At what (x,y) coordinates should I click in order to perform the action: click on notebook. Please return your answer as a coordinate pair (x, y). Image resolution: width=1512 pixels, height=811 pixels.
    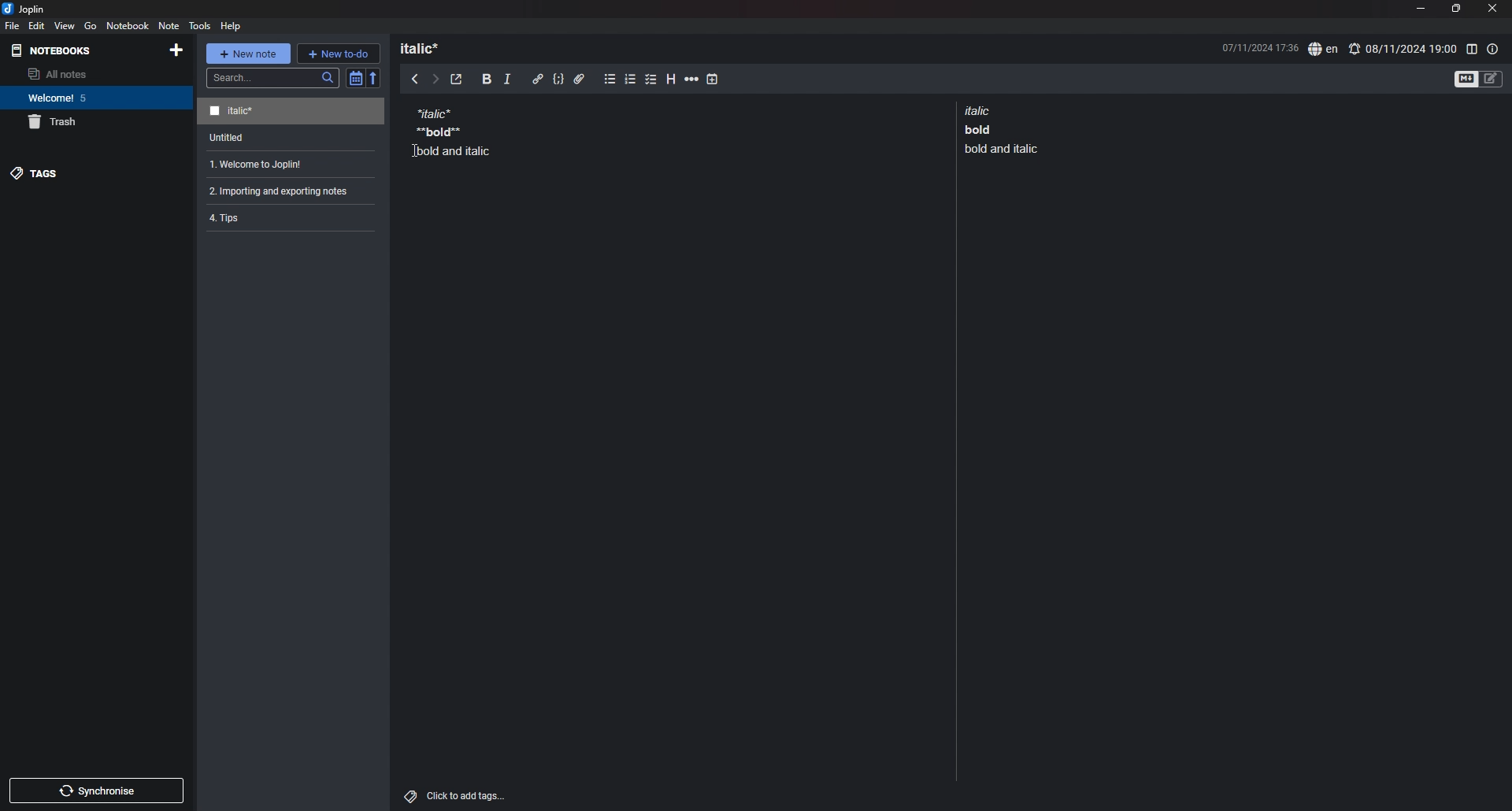
    Looking at the image, I should click on (94, 98).